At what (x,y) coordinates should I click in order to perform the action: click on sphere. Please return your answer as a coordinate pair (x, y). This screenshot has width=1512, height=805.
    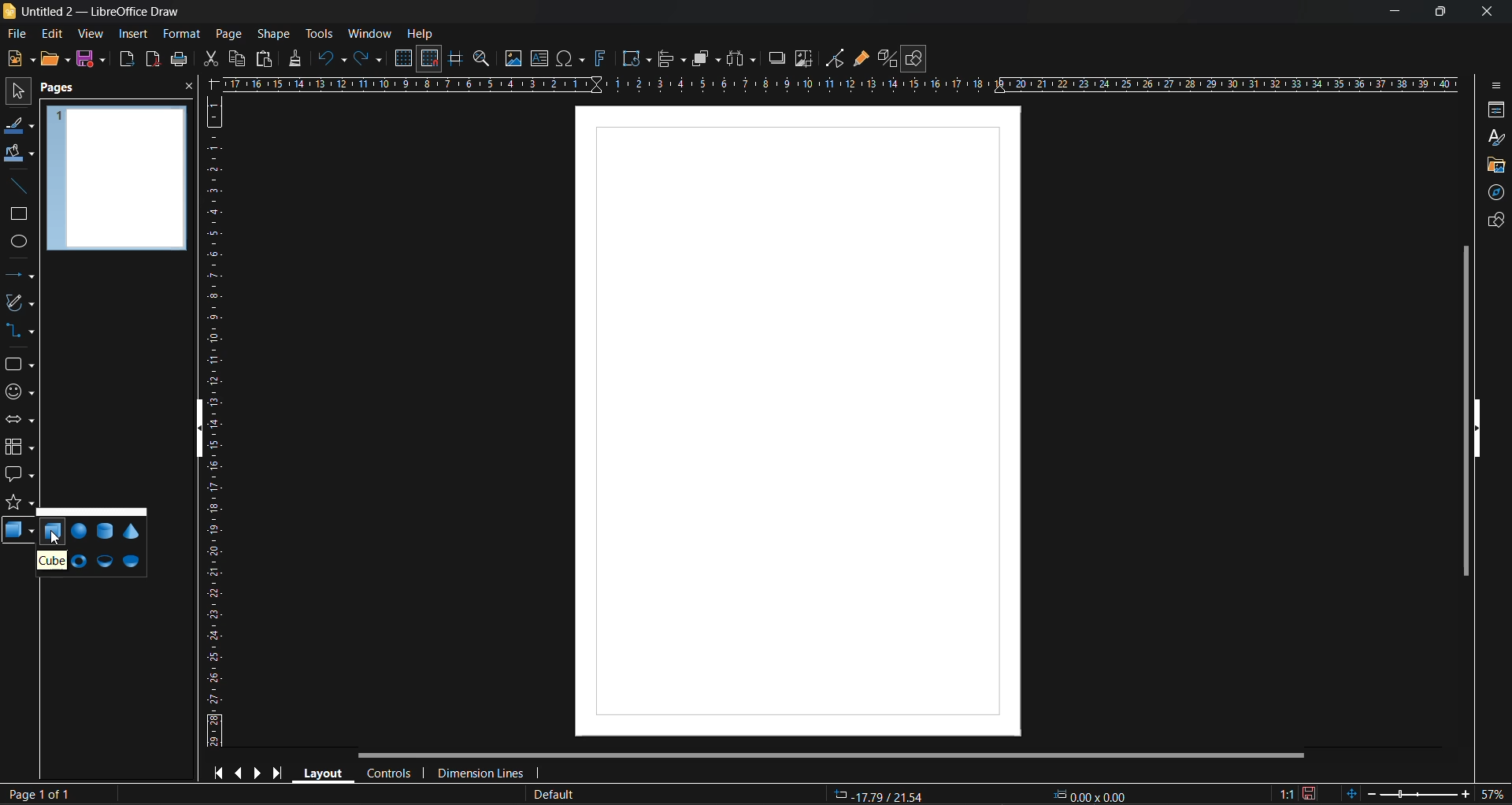
    Looking at the image, I should click on (83, 533).